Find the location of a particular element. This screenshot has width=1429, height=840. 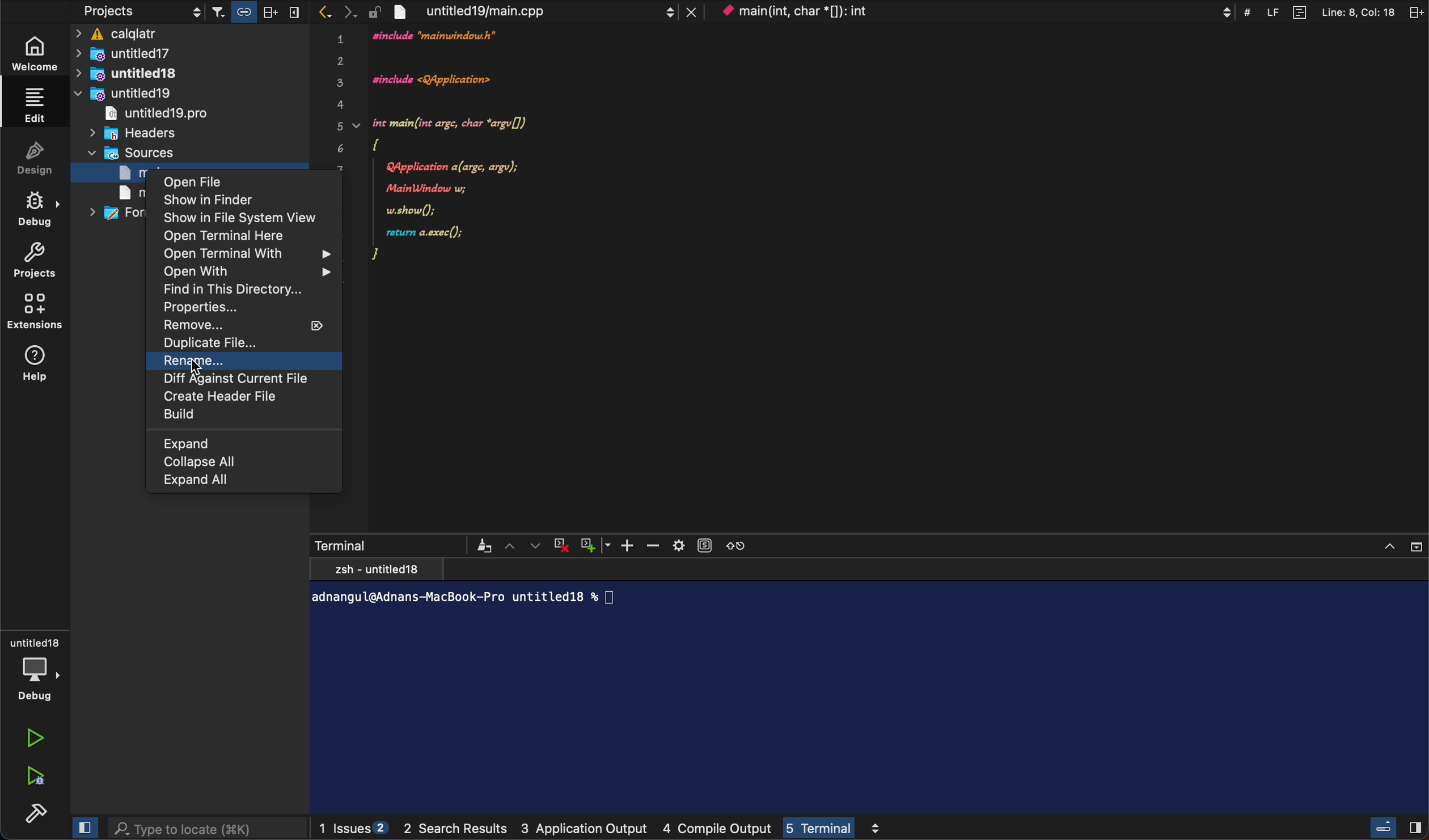

terminal is located at coordinates (873, 688).